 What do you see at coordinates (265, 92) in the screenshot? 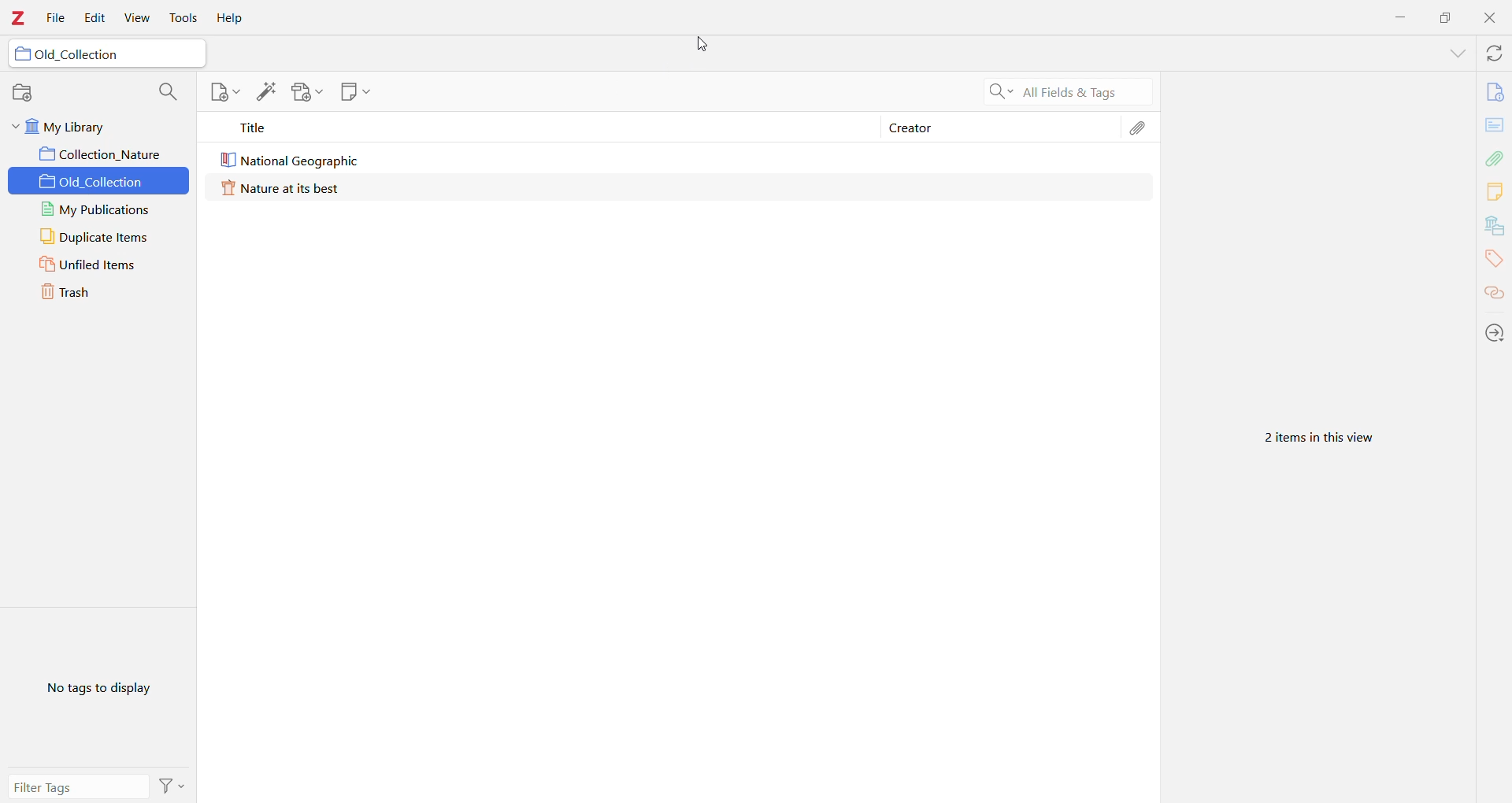
I see `Add Item(s) by Identifier` at bounding box center [265, 92].